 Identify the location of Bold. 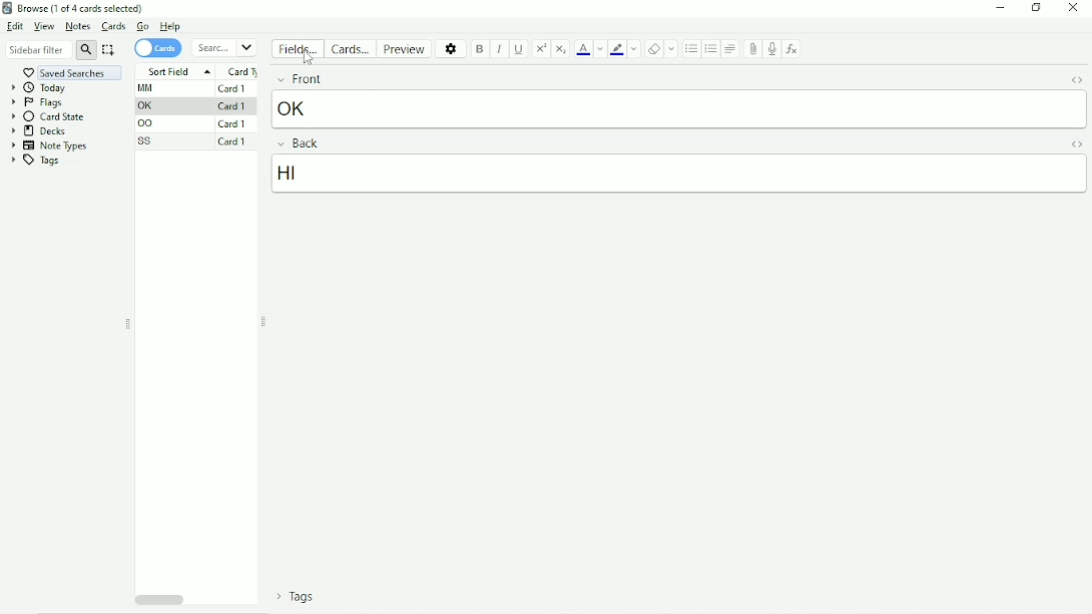
(481, 49).